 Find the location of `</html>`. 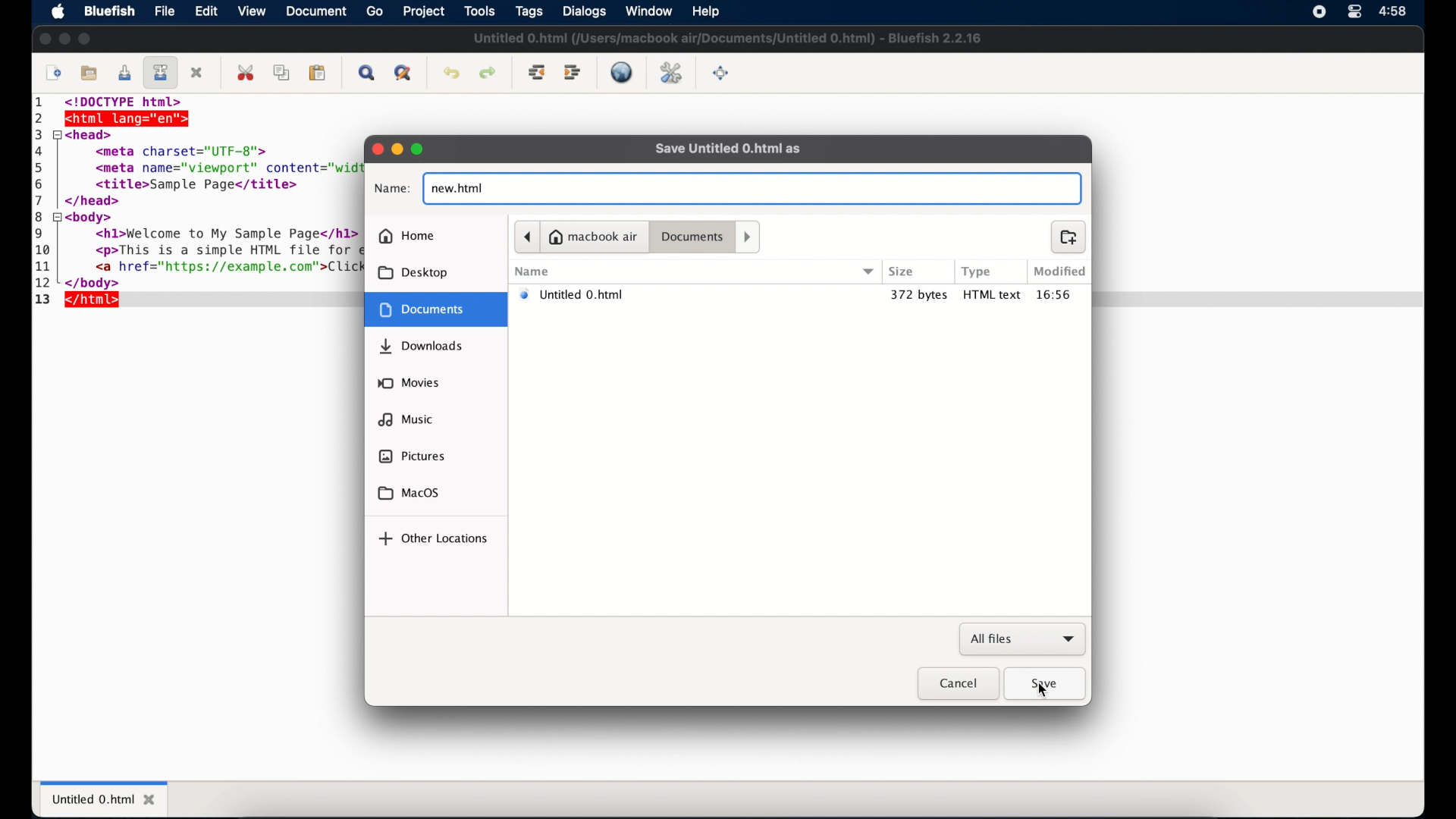

</html> is located at coordinates (94, 301).